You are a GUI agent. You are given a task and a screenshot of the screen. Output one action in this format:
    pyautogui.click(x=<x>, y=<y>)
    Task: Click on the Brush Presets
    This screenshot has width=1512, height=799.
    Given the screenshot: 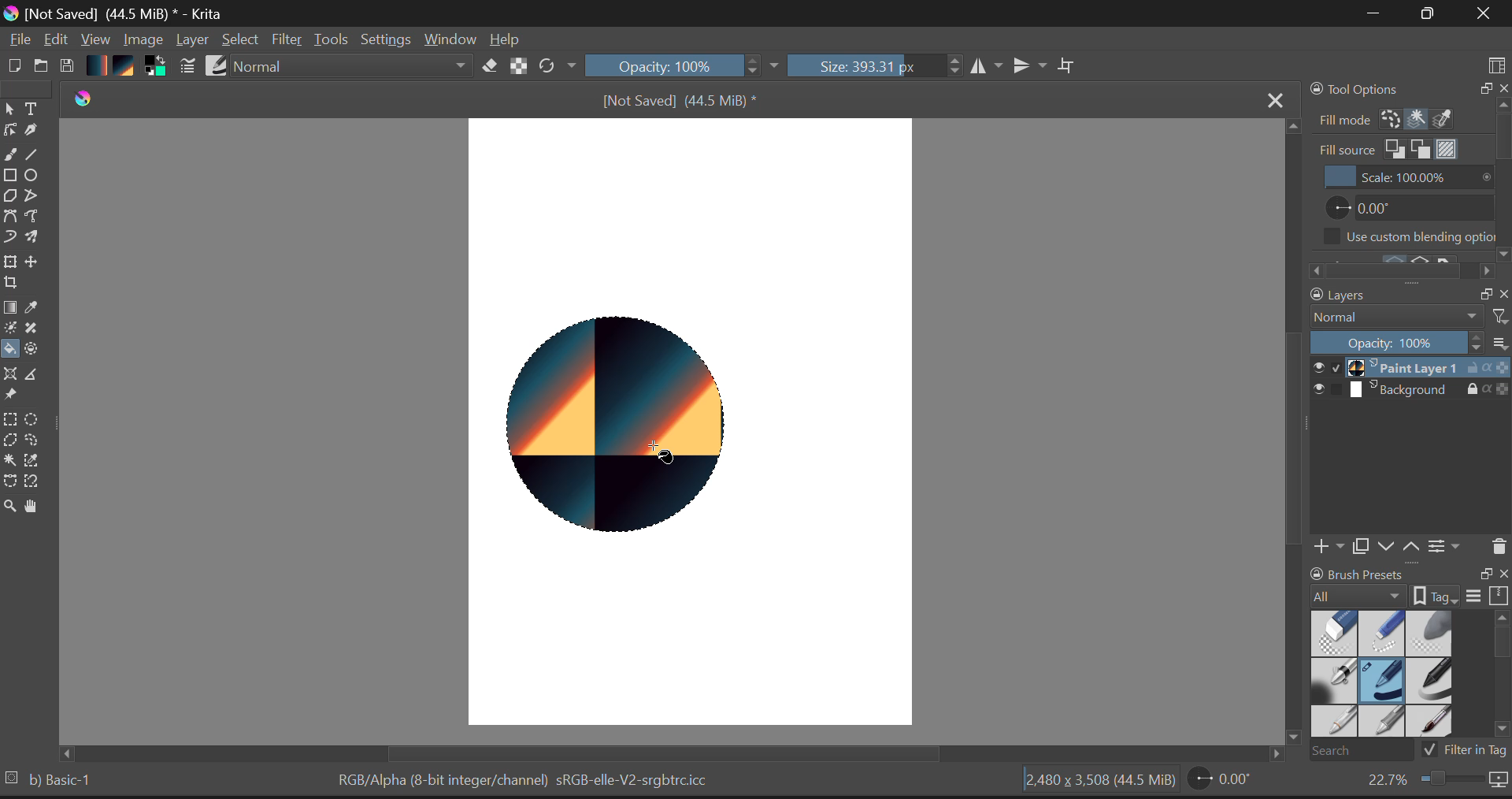 What is the action you would take?
    pyautogui.click(x=218, y=65)
    